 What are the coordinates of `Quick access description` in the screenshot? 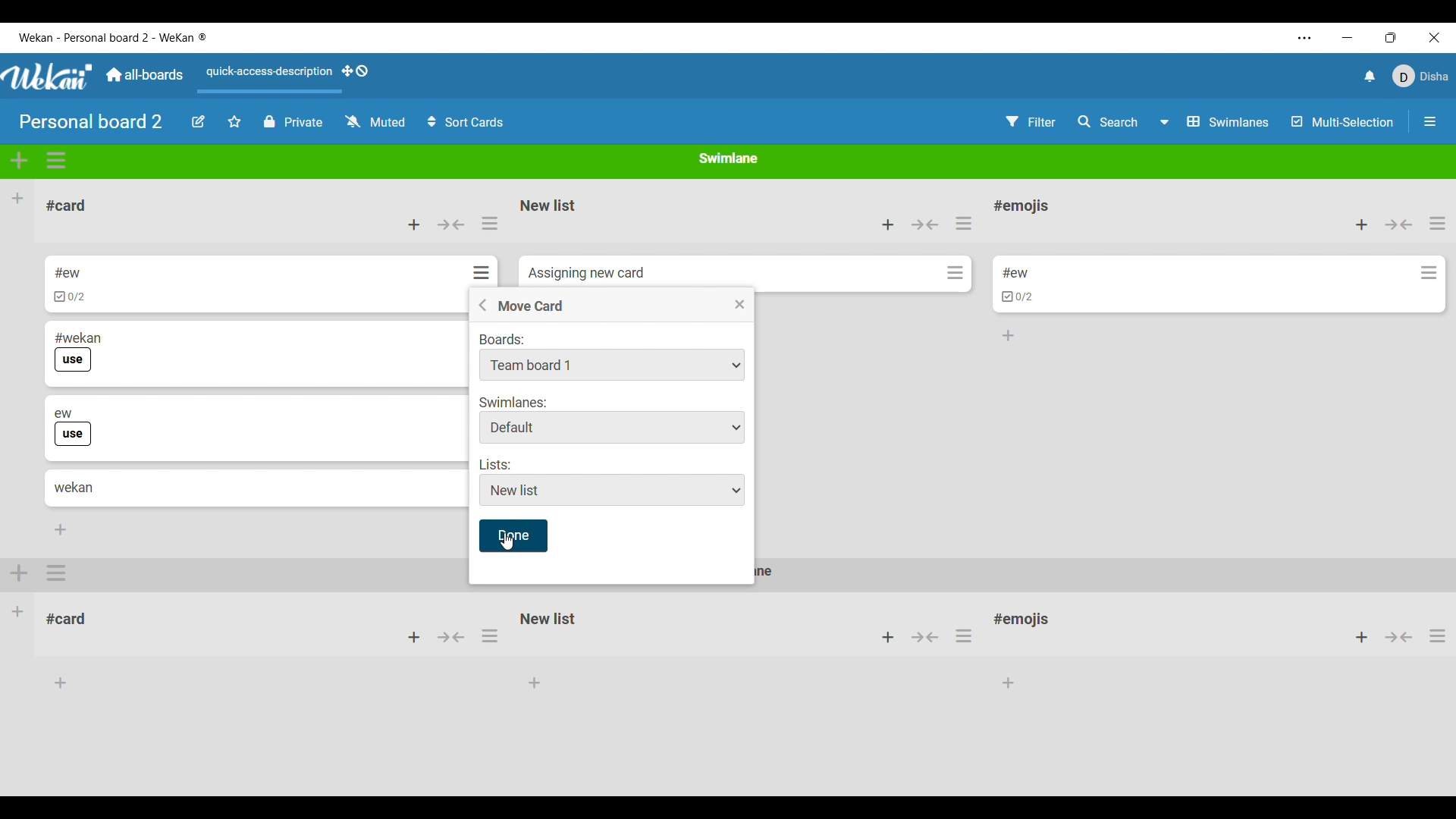 It's located at (265, 78).